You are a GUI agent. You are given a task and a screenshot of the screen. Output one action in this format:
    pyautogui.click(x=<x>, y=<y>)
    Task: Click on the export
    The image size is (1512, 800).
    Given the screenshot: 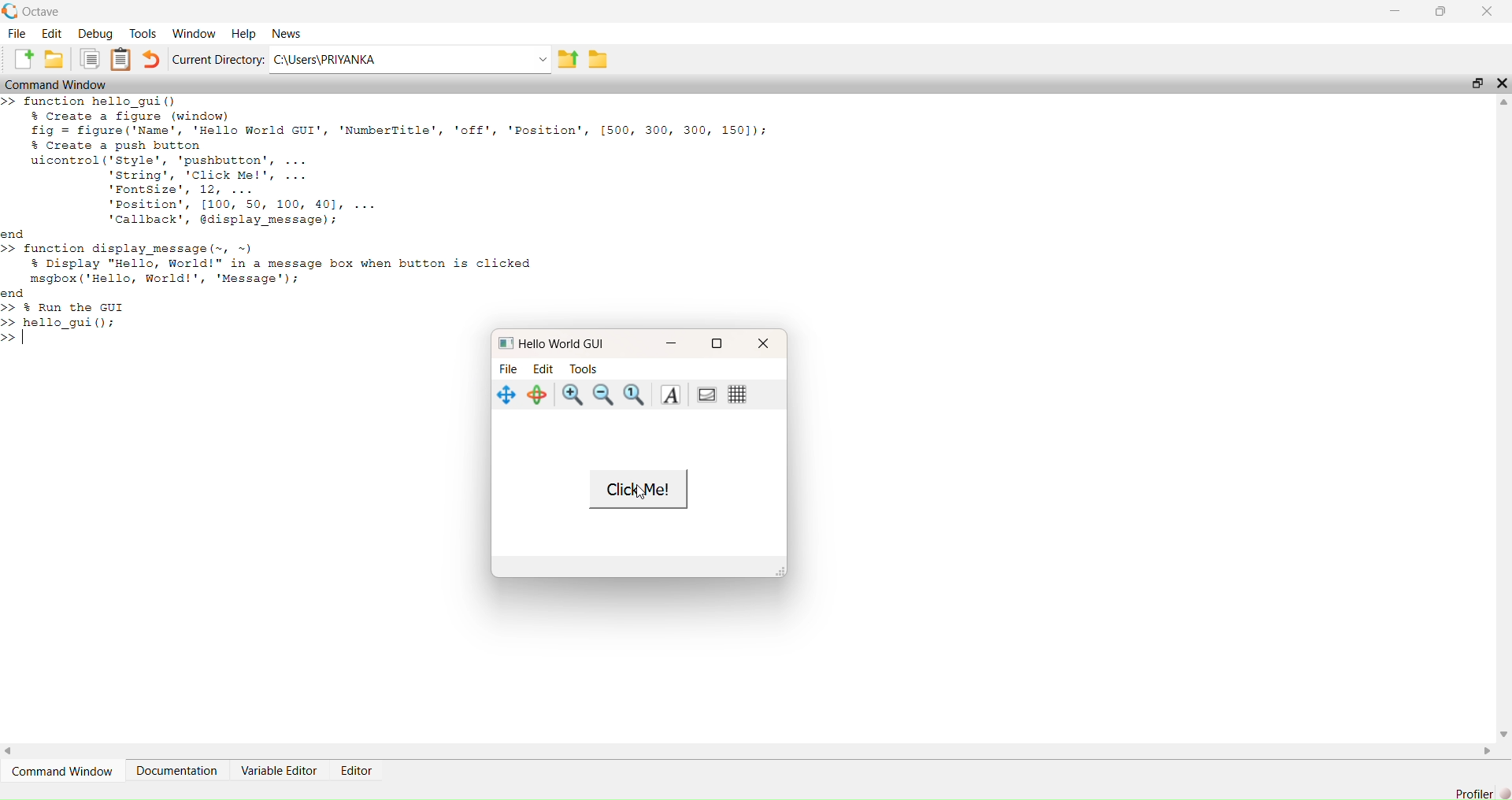 What is the action you would take?
    pyautogui.click(x=569, y=64)
    